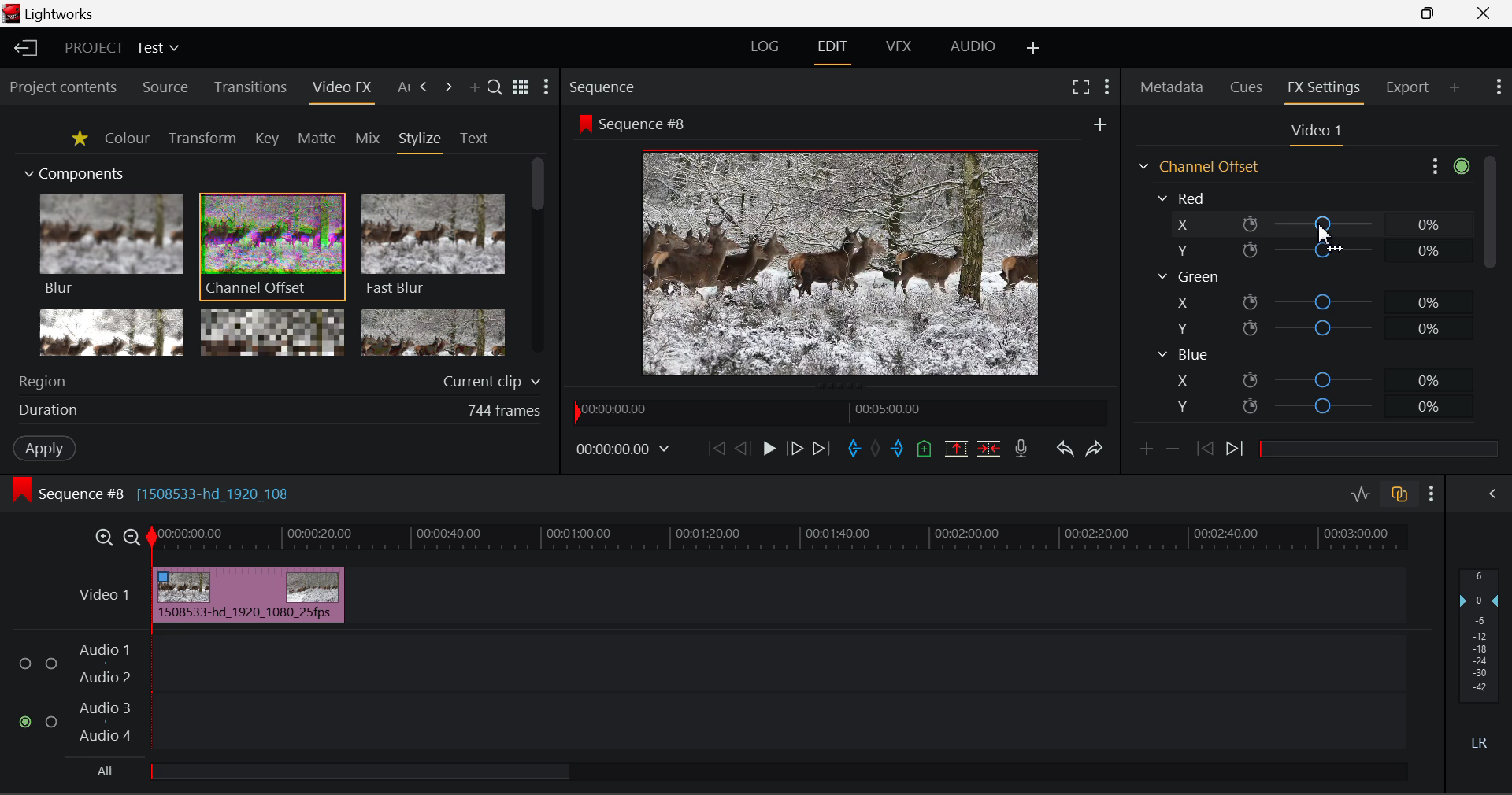 This screenshot has height=795, width=1512. Describe the element at coordinates (1170, 87) in the screenshot. I see `Metadata Tab` at that location.